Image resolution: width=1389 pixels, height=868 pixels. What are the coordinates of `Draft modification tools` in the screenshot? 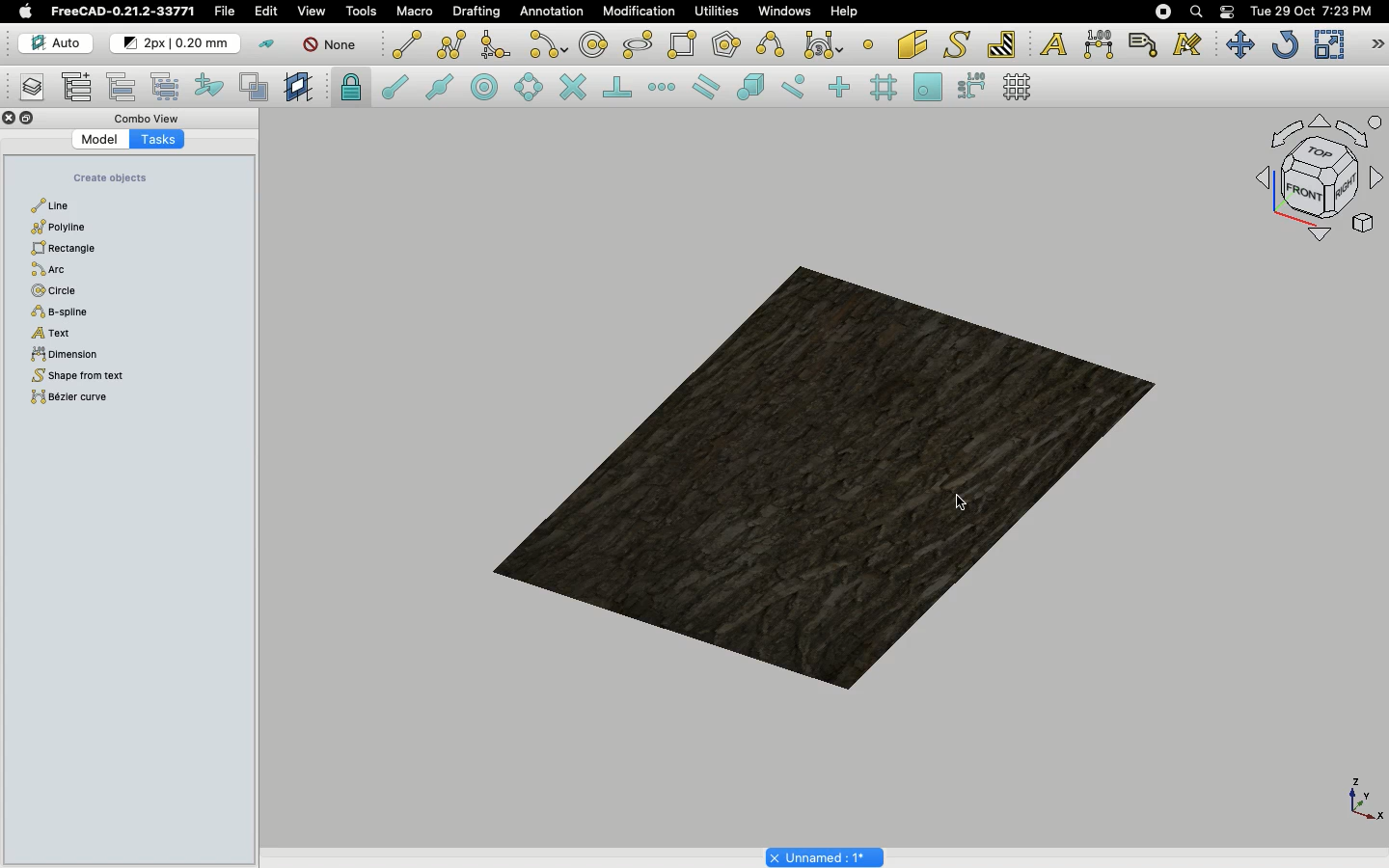 It's located at (1377, 44).